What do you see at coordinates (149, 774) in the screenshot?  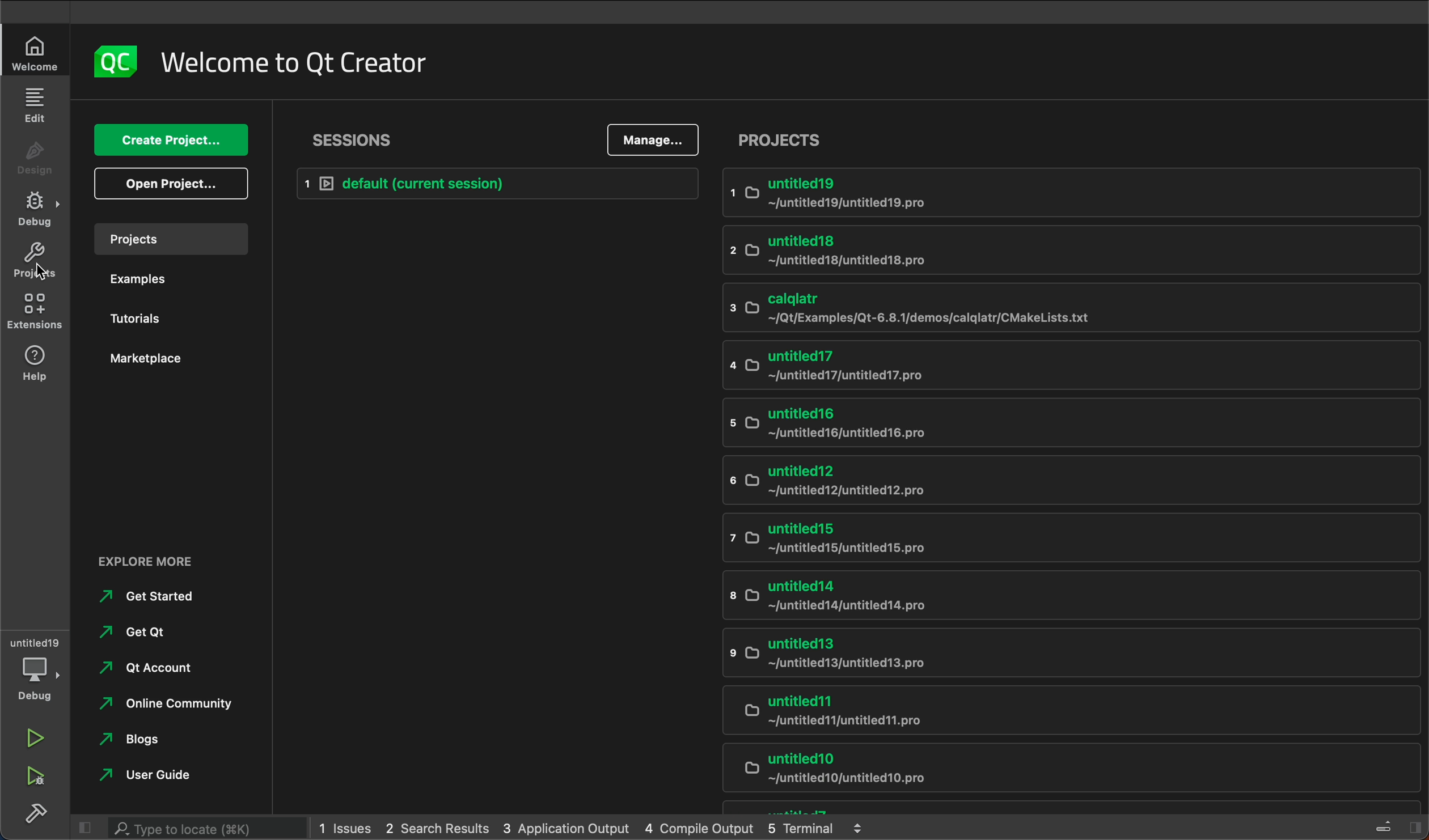 I see `user Gide ` at bounding box center [149, 774].